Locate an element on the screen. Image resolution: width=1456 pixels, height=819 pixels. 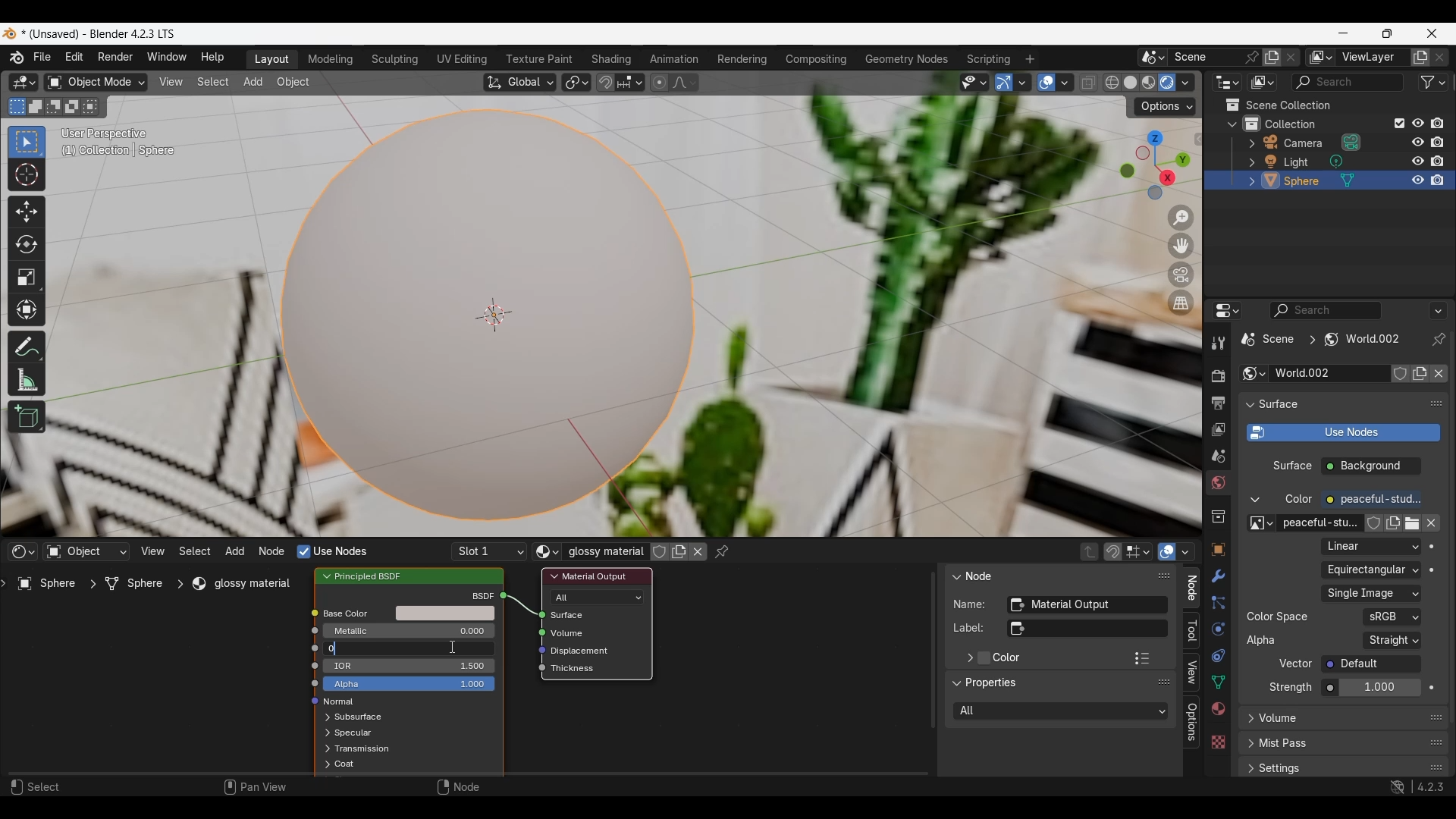
Proportional editing objects is located at coordinates (661, 83).